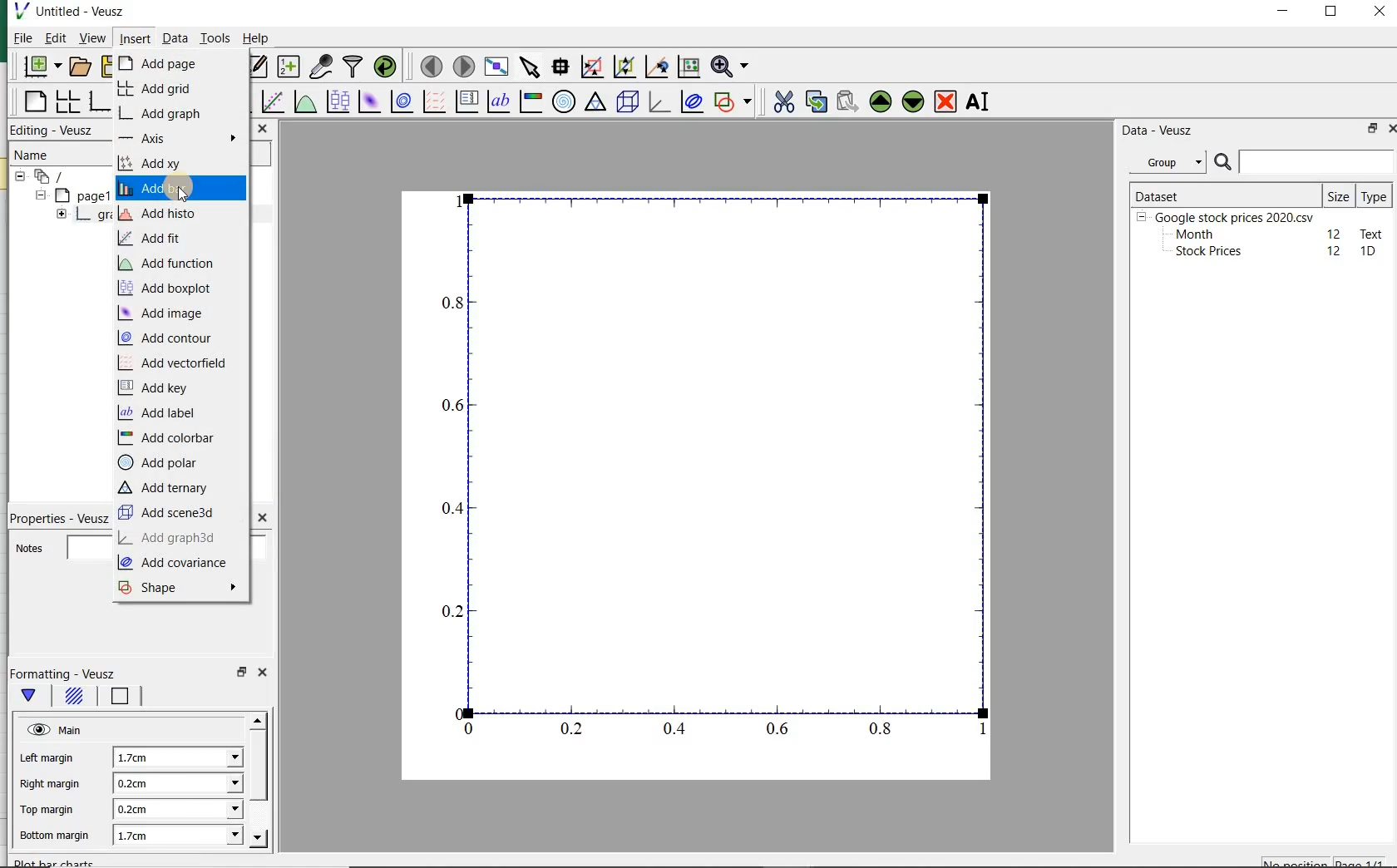  I want to click on close , so click(1396, 129).